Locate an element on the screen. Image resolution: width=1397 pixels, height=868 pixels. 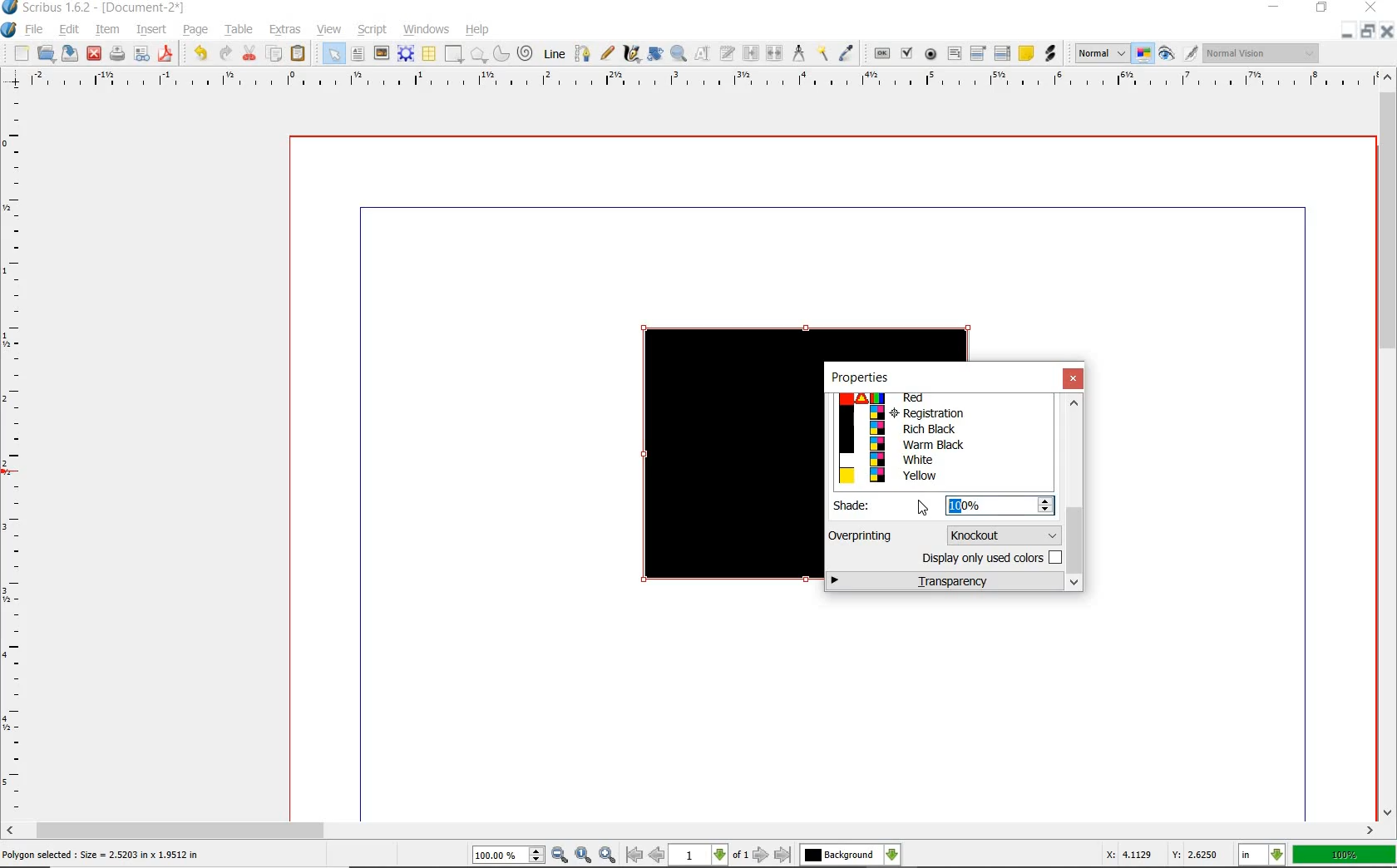
RESTORE is located at coordinates (1364, 34).